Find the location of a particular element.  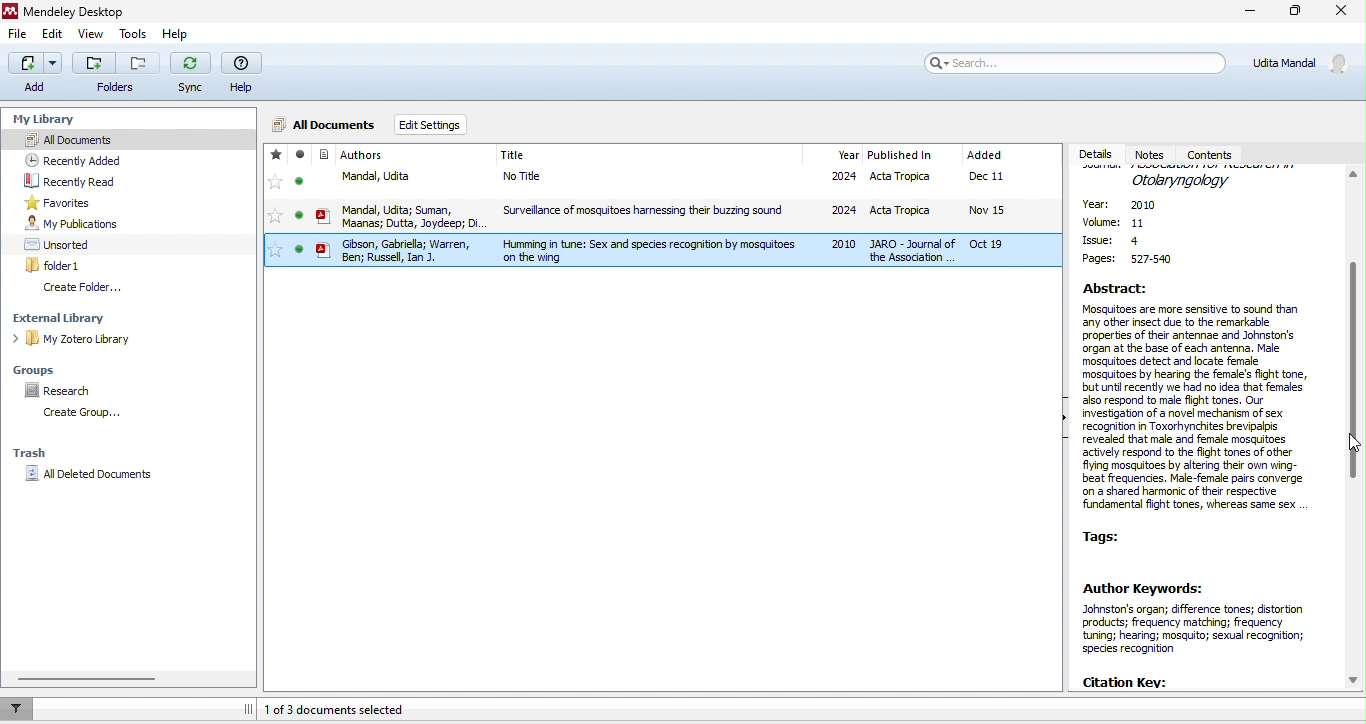

journal name is located at coordinates (1182, 180).